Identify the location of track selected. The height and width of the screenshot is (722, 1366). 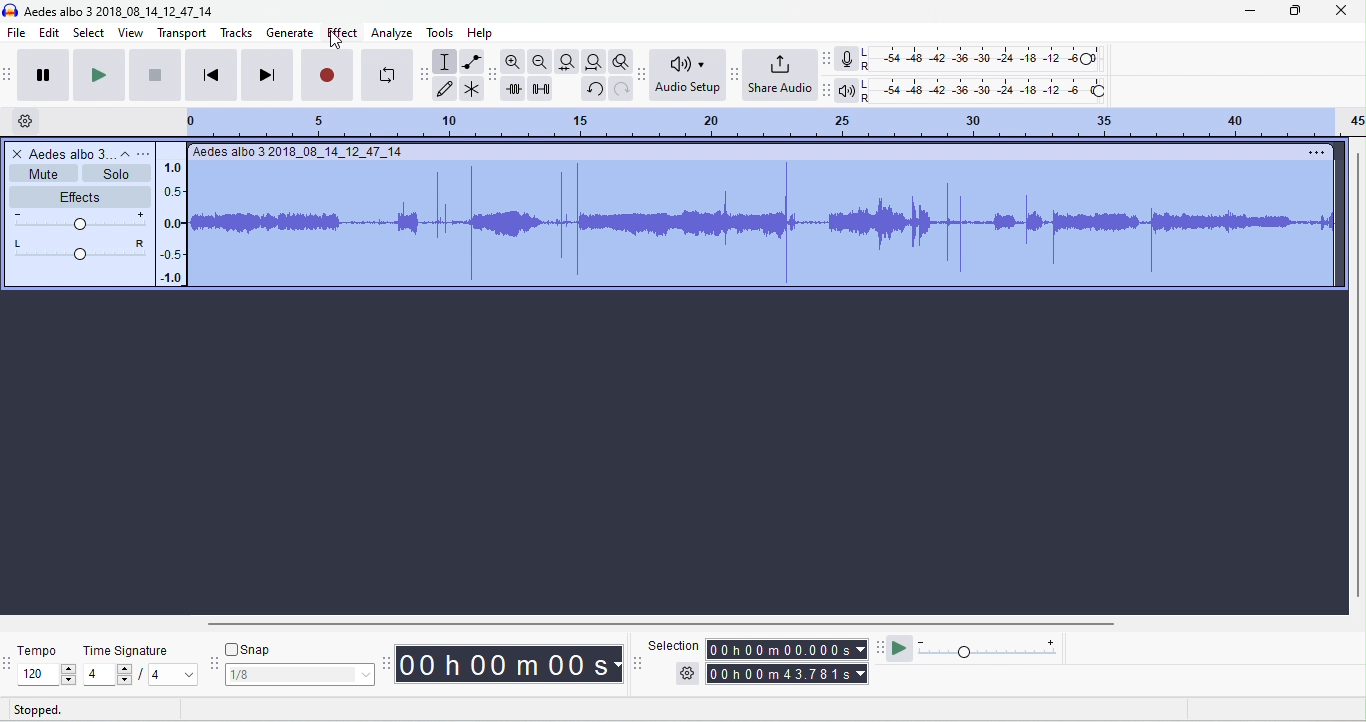
(675, 214).